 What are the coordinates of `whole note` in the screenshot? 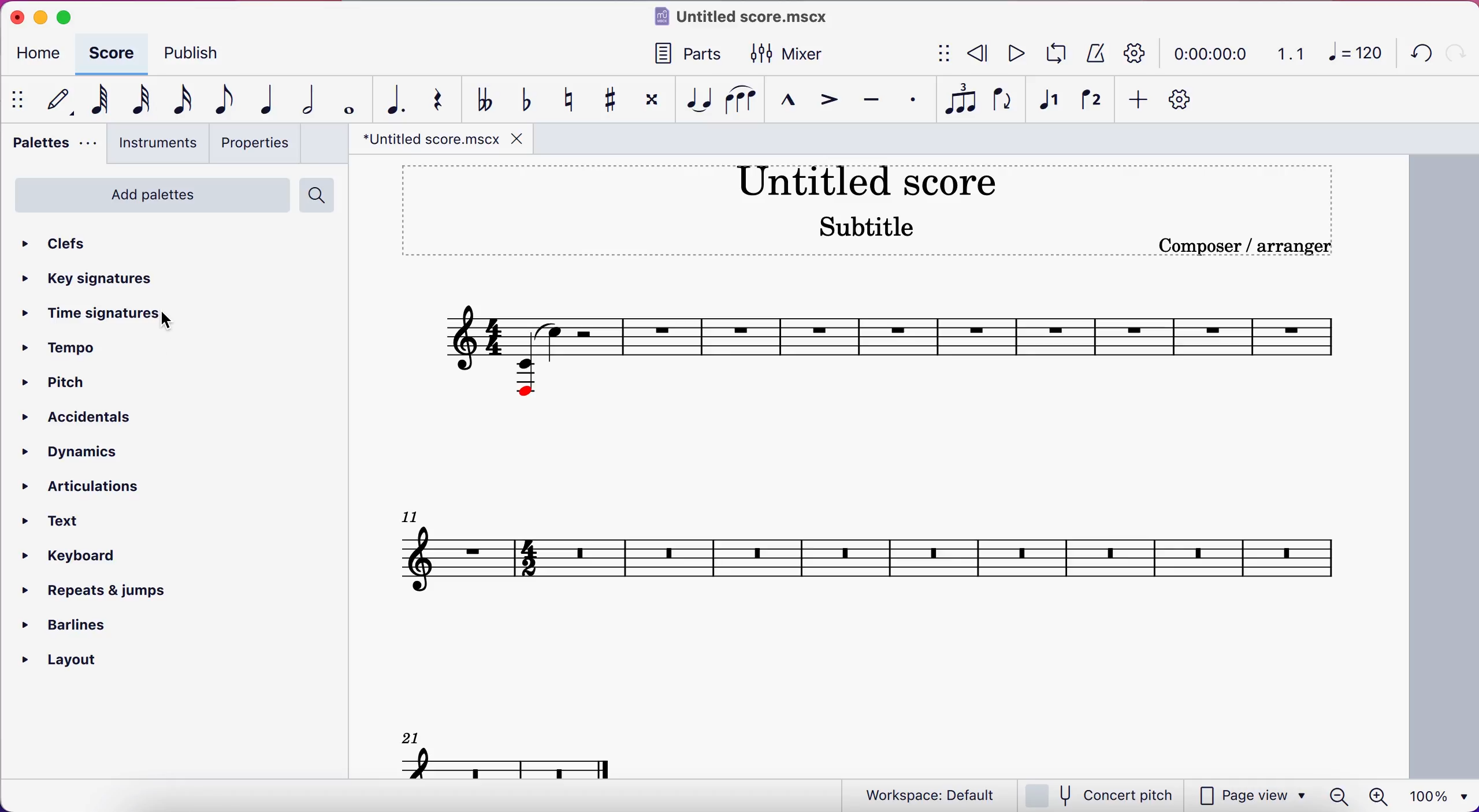 It's located at (340, 100).